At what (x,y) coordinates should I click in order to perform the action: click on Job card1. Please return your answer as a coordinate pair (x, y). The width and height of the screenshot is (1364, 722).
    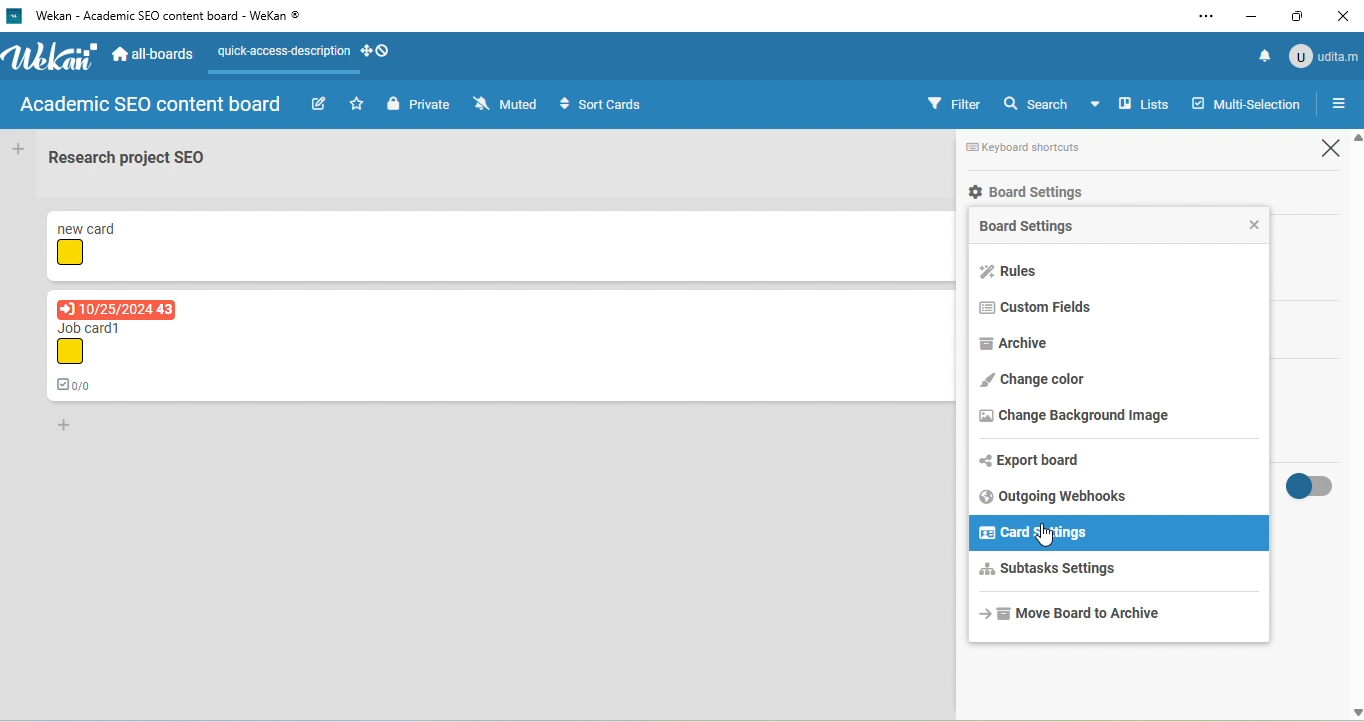
    Looking at the image, I should click on (97, 327).